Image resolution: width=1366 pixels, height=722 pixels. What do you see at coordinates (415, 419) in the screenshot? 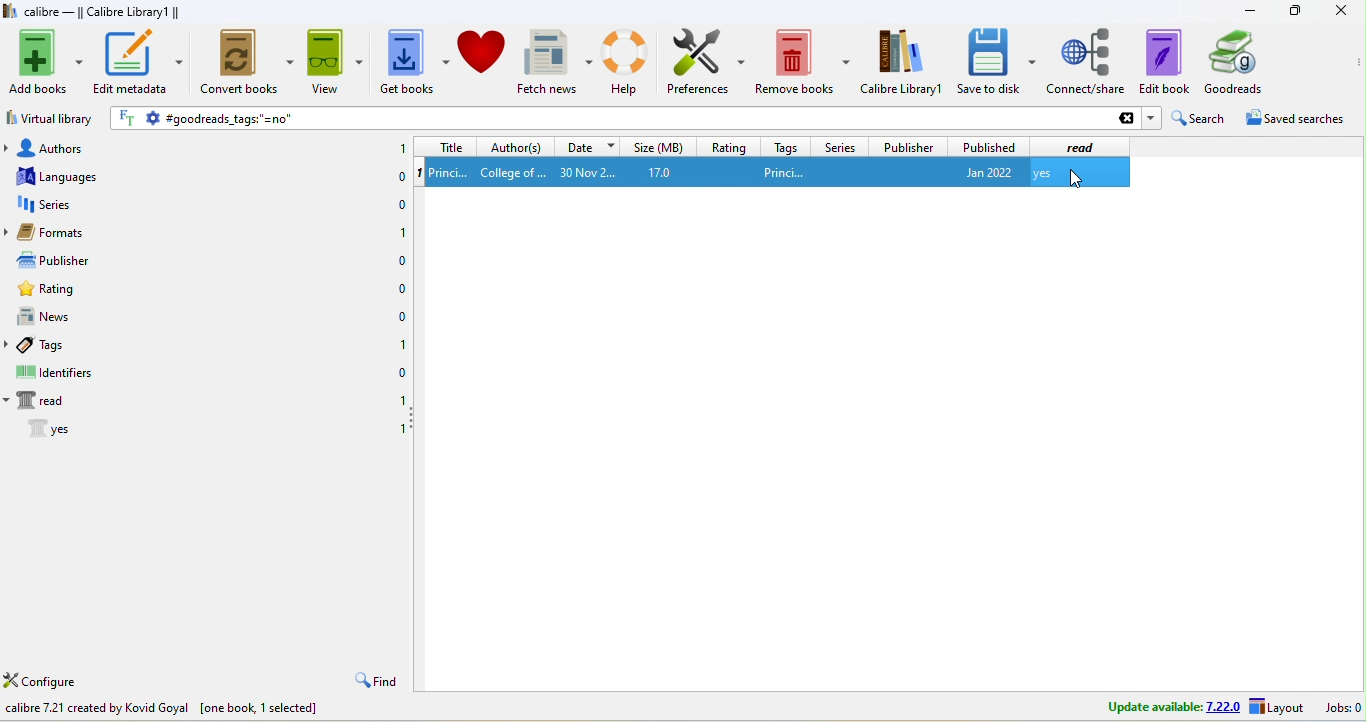
I see `drag to collapse` at bounding box center [415, 419].